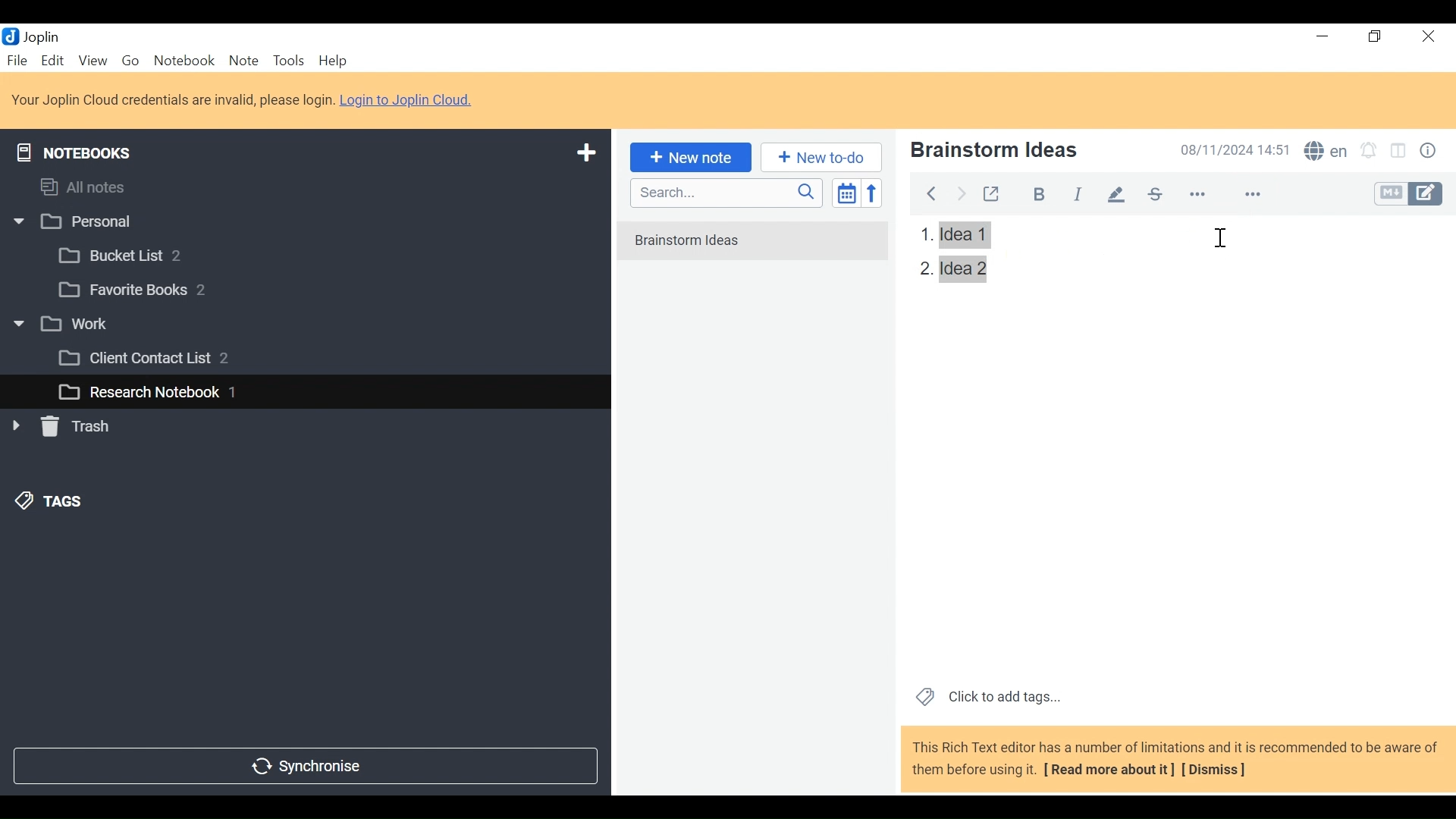 Image resolution: width=1456 pixels, height=819 pixels. I want to click on Search, so click(724, 193).